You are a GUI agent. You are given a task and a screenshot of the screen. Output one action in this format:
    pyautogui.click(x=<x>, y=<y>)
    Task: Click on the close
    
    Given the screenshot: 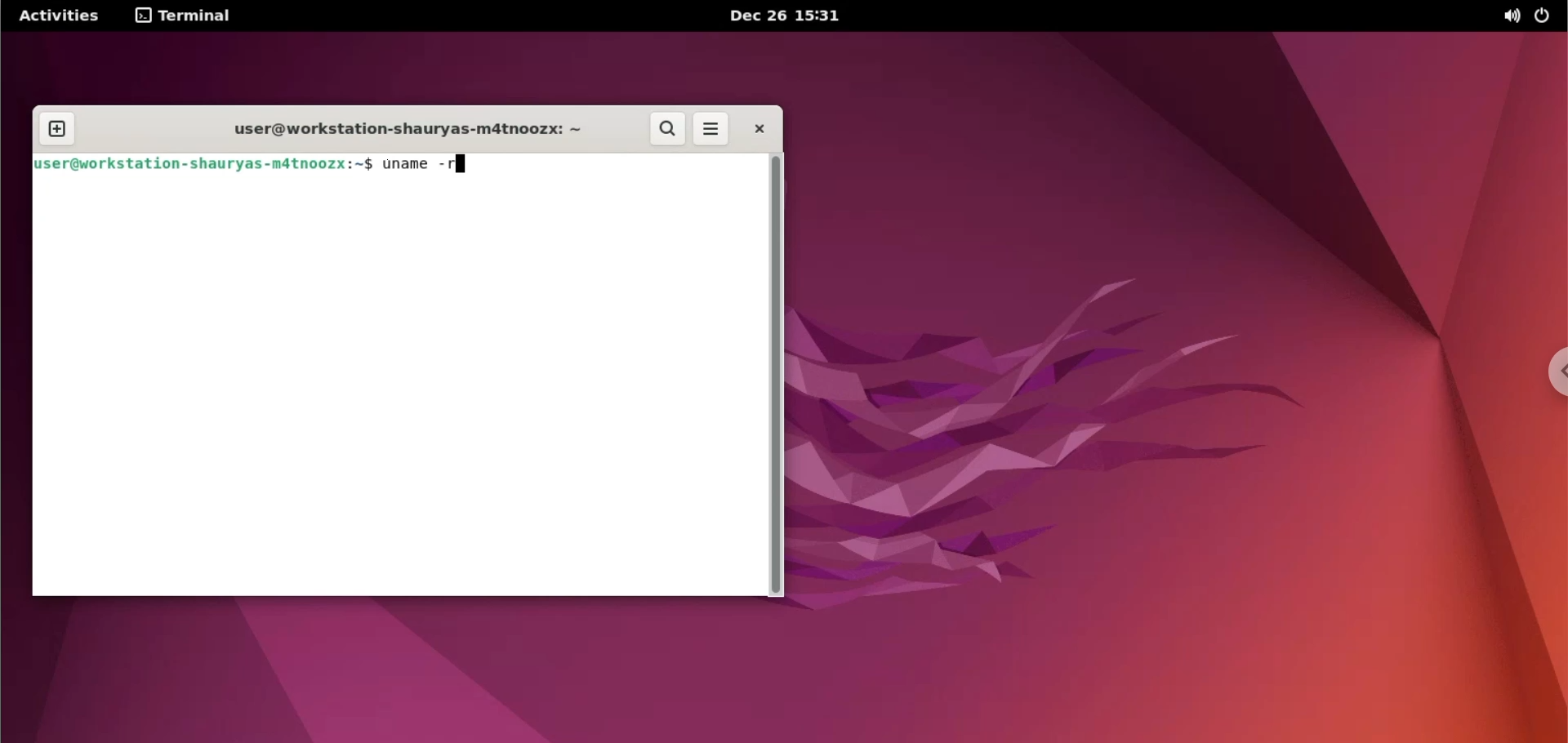 What is the action you would take?
    pyautogui.click(x=755, y=130)
    